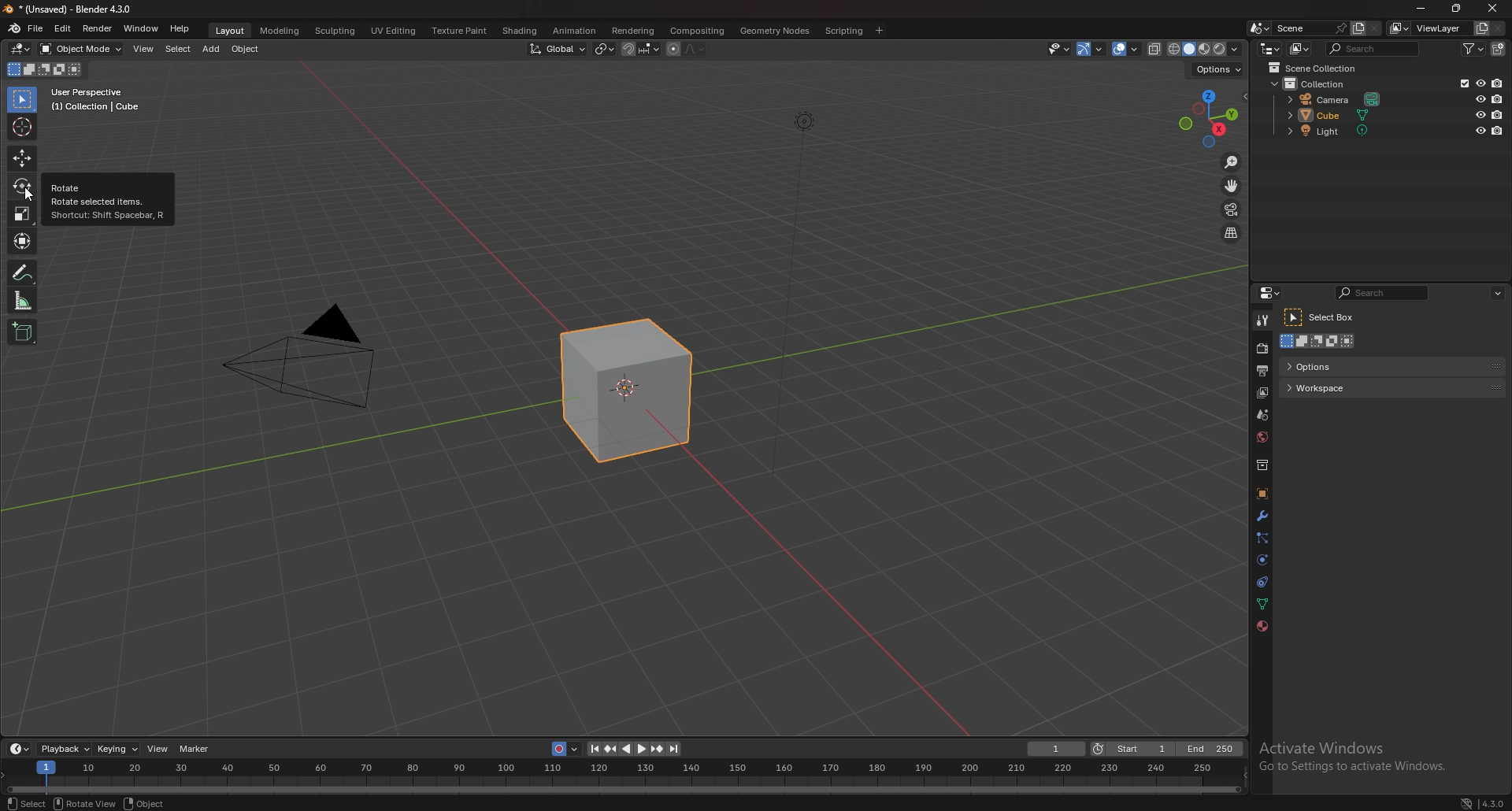 The image size is (1512, 811). What do you see at coordinates (567, 749) in the screenshot?
I see `auto key recording` at bounding box center [567, 749].